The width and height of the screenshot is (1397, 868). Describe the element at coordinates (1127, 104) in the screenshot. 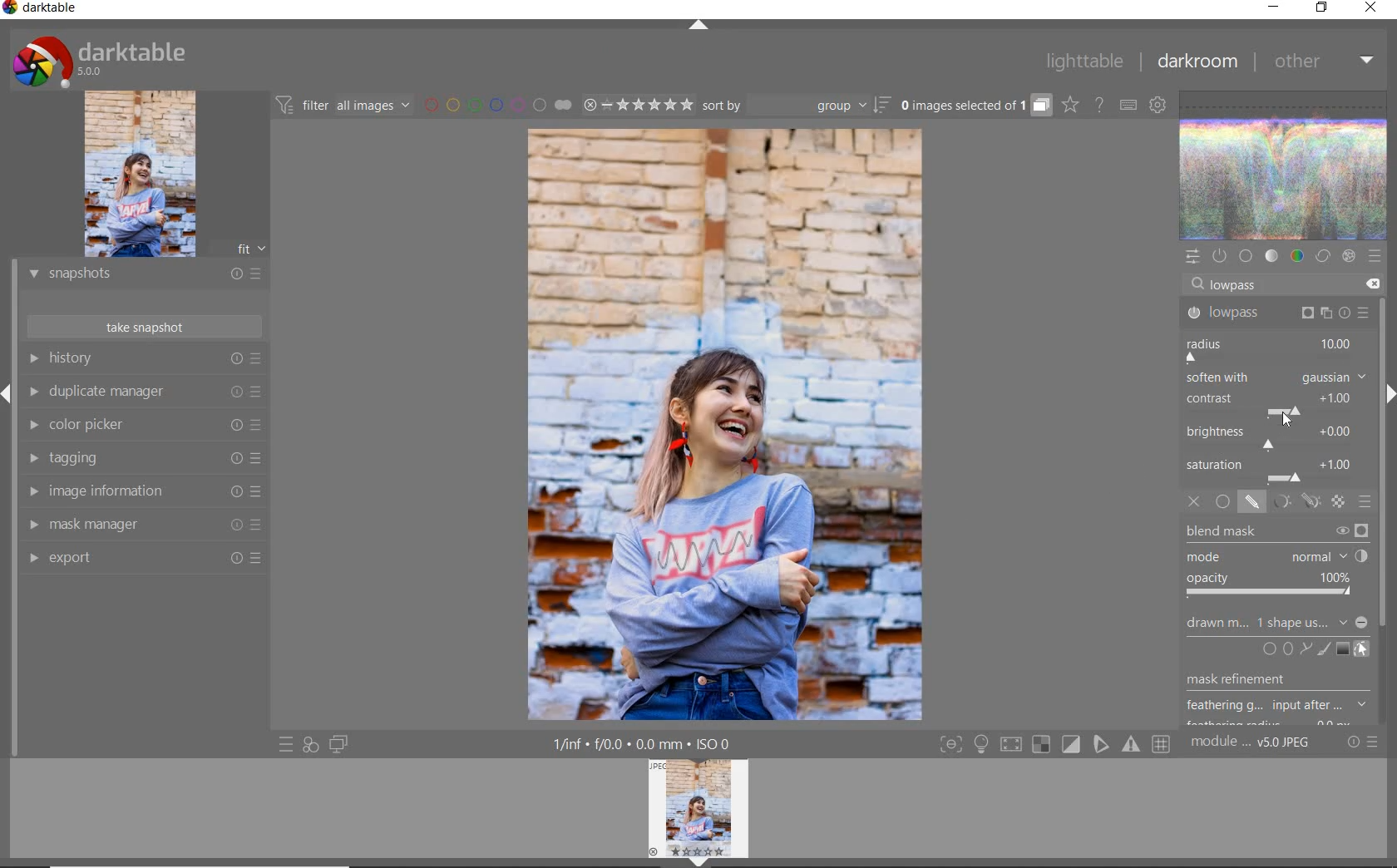

I see `set keyboard shortcuts` at that location.